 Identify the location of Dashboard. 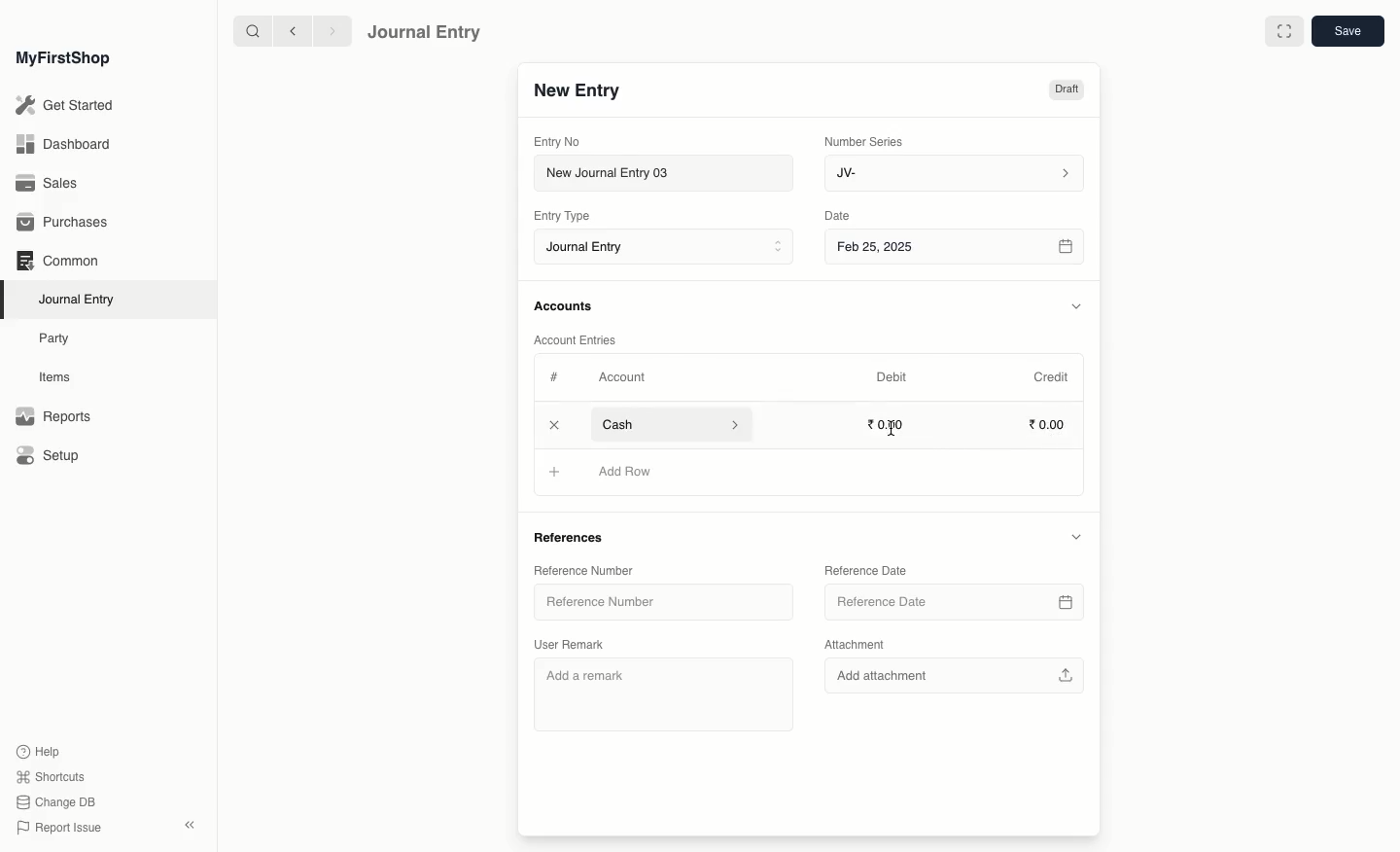
(62, 143).